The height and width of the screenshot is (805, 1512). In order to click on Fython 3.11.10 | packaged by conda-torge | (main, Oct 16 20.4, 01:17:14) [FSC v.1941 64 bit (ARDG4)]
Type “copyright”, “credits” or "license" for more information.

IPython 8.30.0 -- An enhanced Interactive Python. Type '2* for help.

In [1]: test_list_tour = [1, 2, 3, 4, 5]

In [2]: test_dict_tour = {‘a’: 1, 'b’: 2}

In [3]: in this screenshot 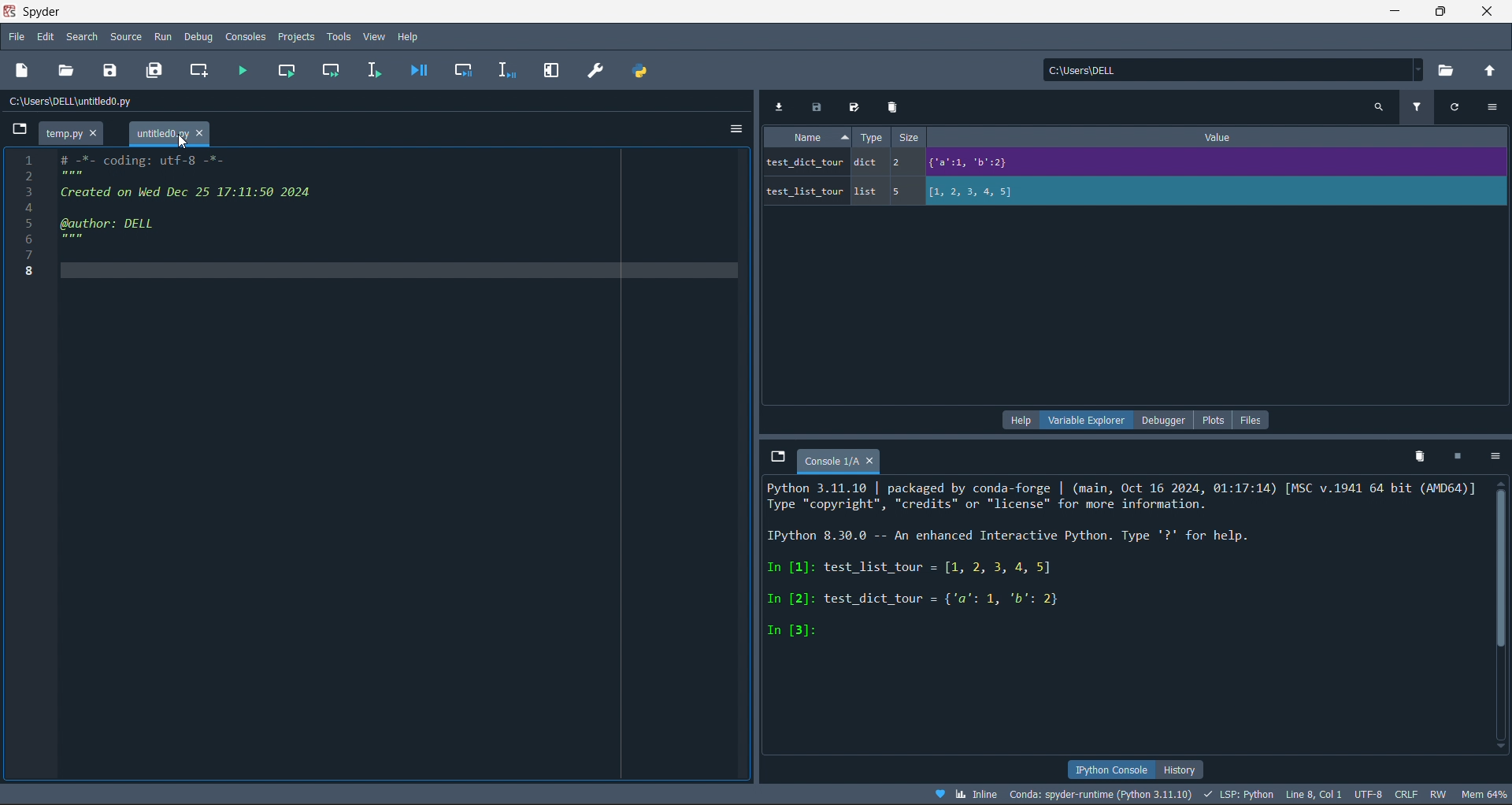, I will do `click(1123, 564)`.